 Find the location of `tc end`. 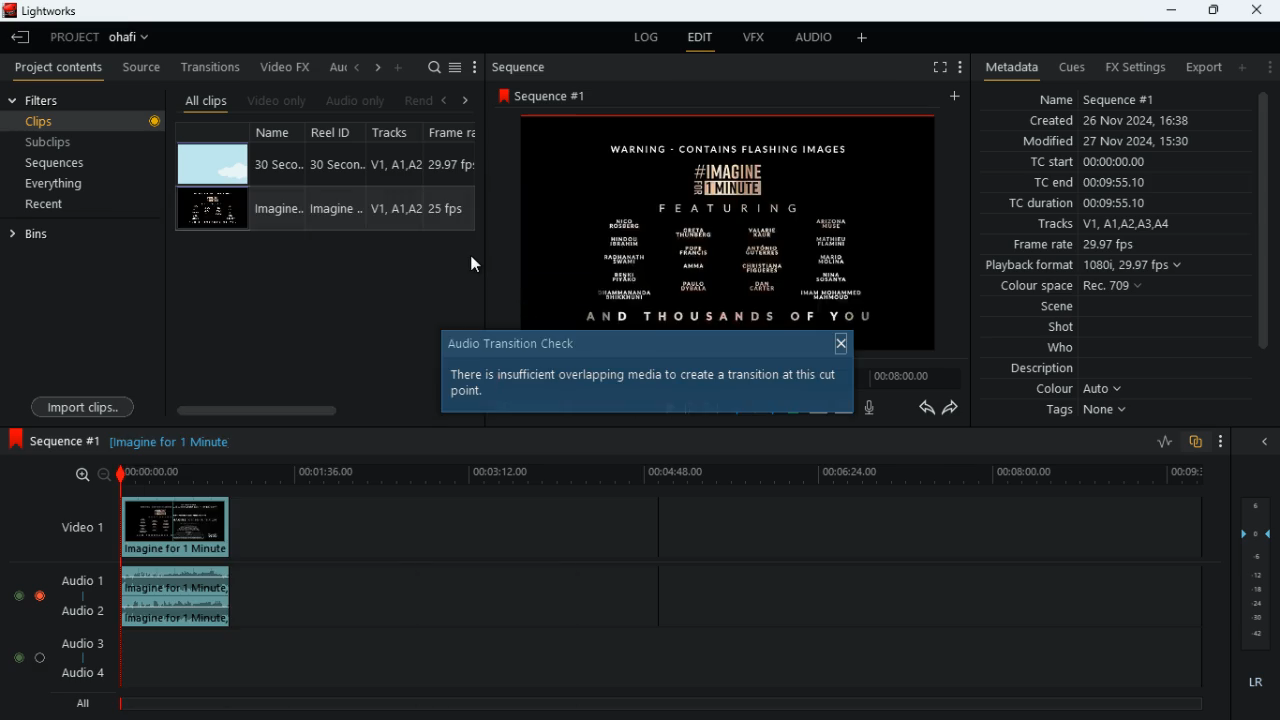

tc end is located at coordinates (1082, 183).